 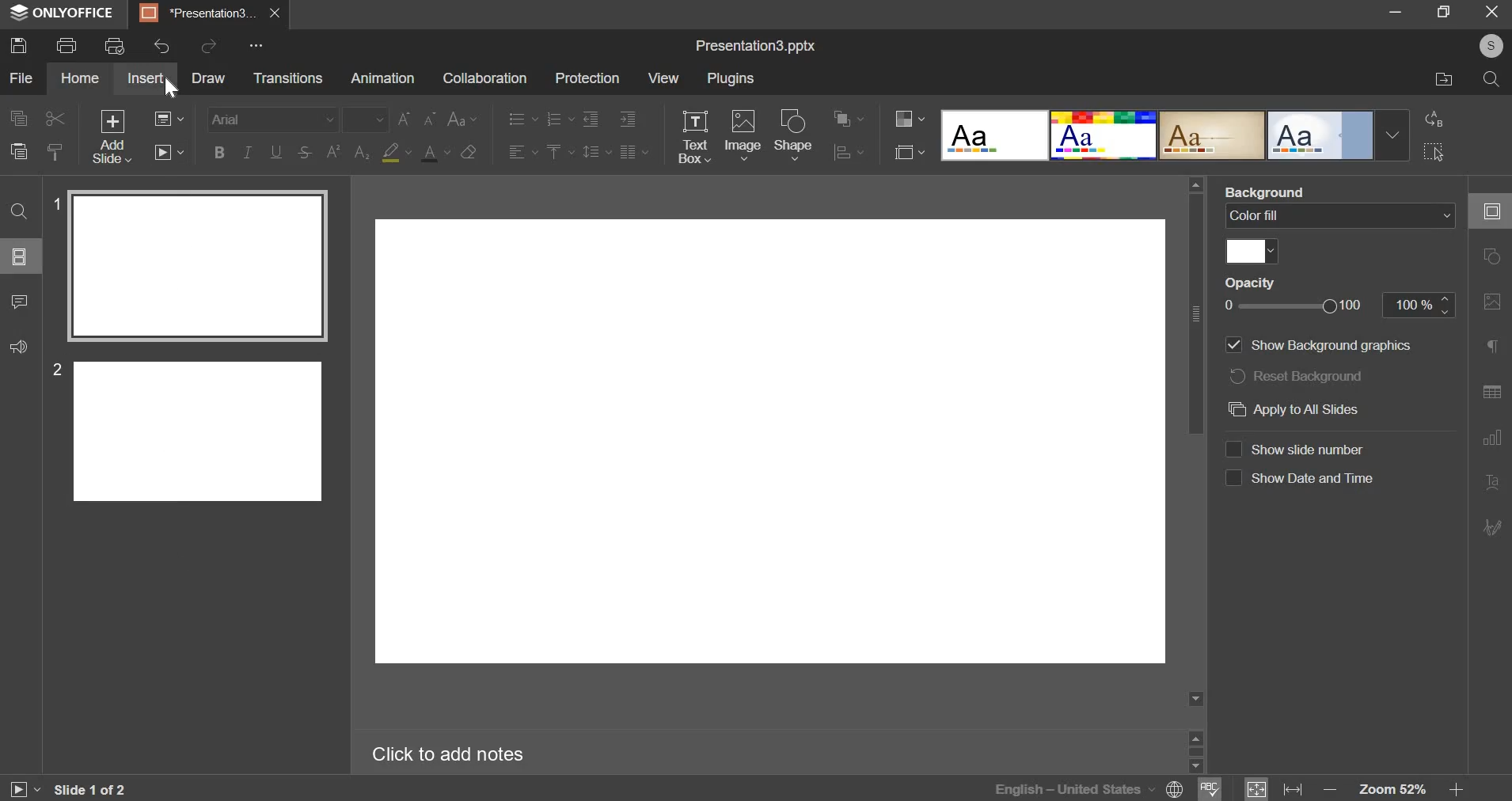 I want to click on Dropdown, so click(x=1393, y=135).